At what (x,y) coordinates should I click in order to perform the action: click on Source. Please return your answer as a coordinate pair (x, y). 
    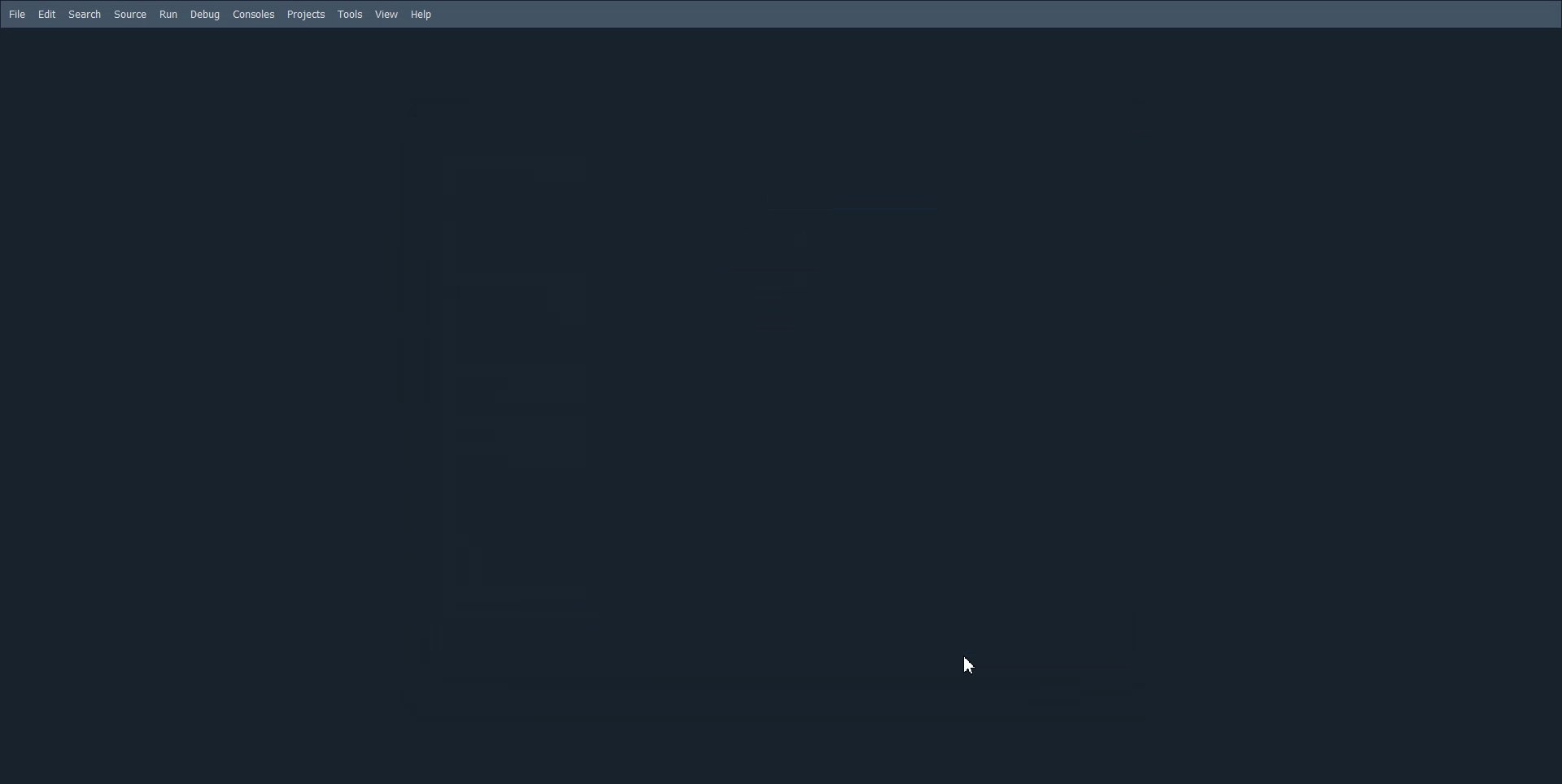
    Looking at the image, I should click on (131, 15).